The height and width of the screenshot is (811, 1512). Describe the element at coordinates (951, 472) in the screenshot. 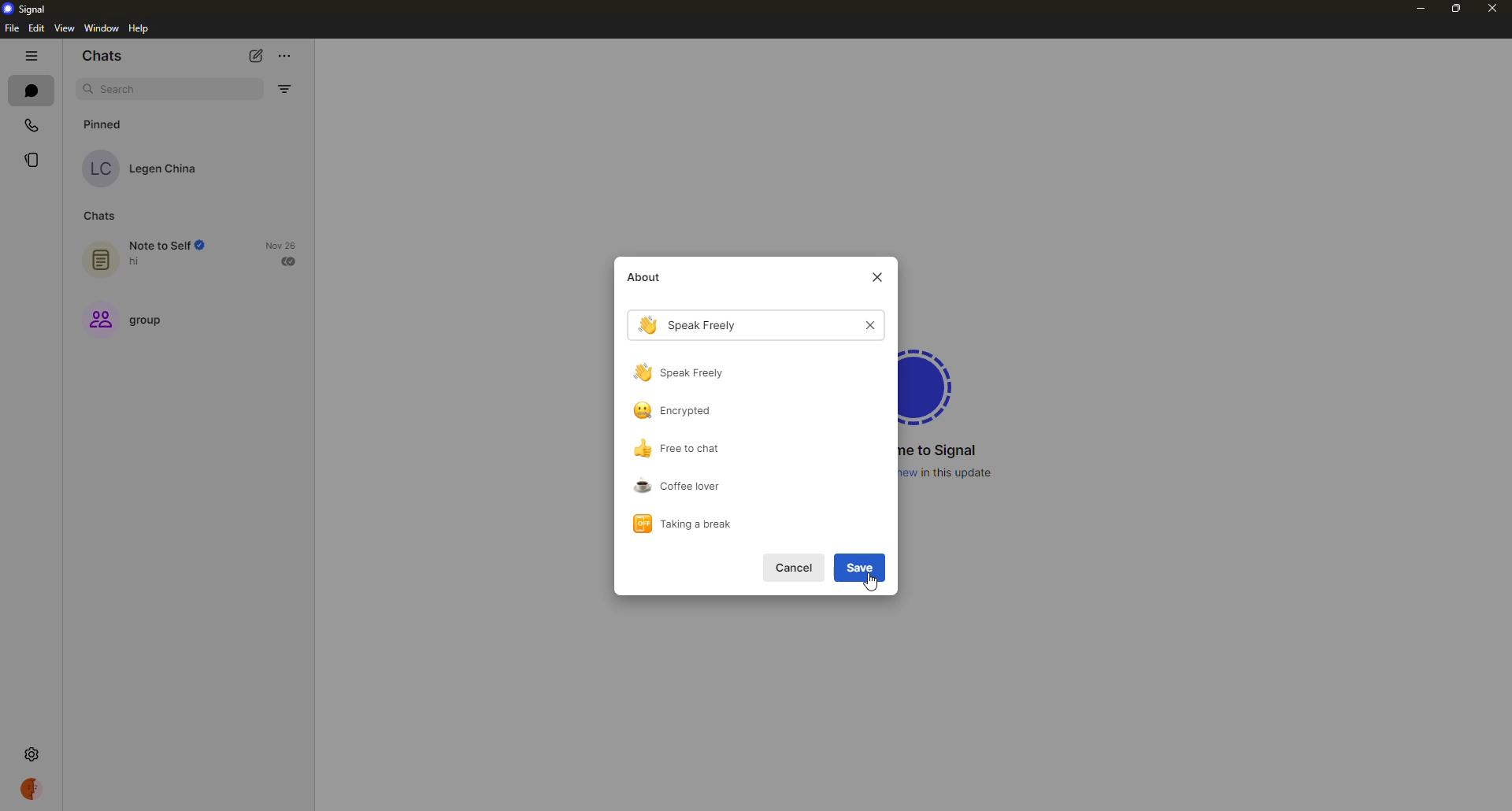

I see `what's new` at that location.